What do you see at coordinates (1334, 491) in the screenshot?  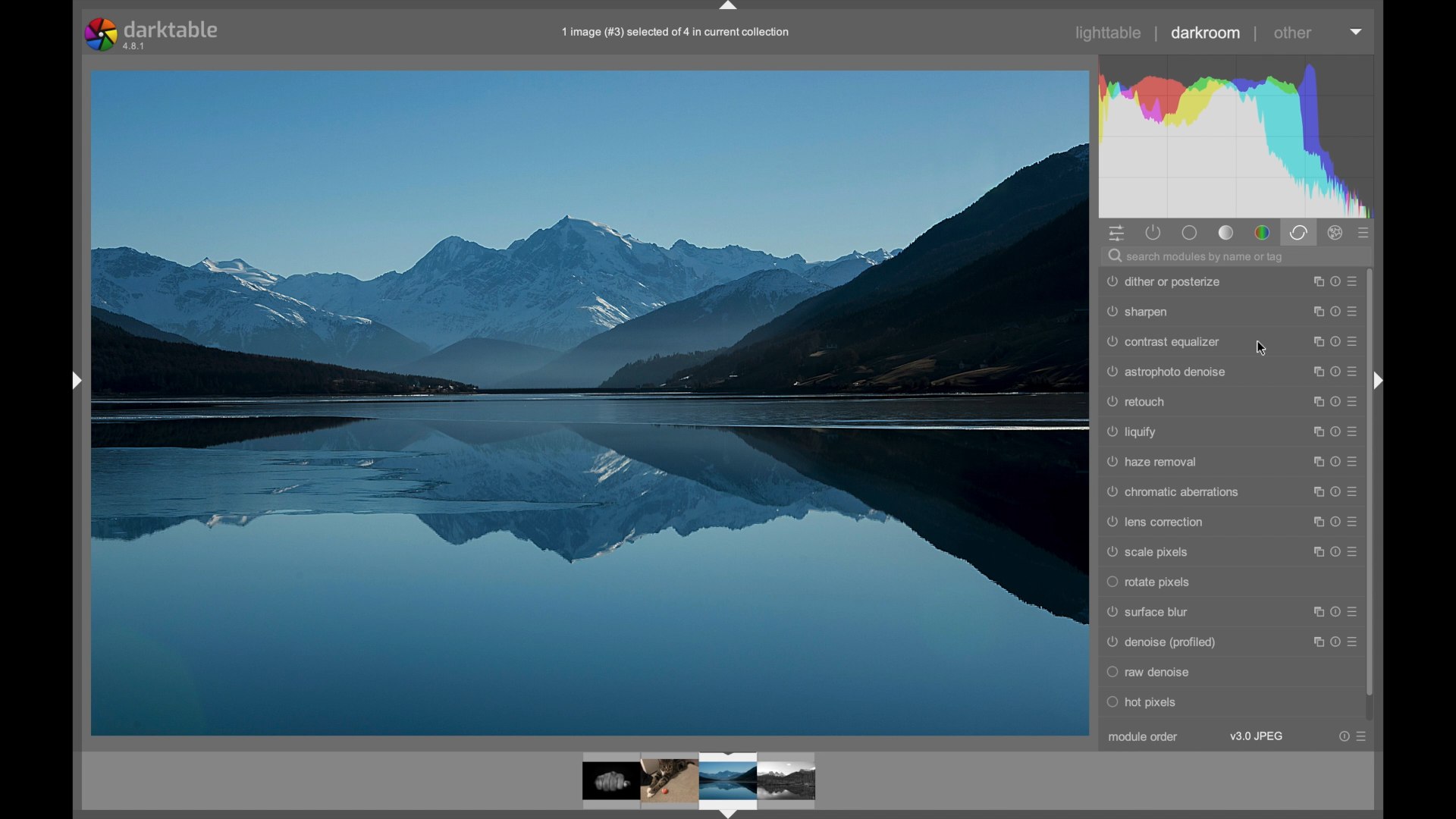 I see `more options` at bounding box center [1334, 491].